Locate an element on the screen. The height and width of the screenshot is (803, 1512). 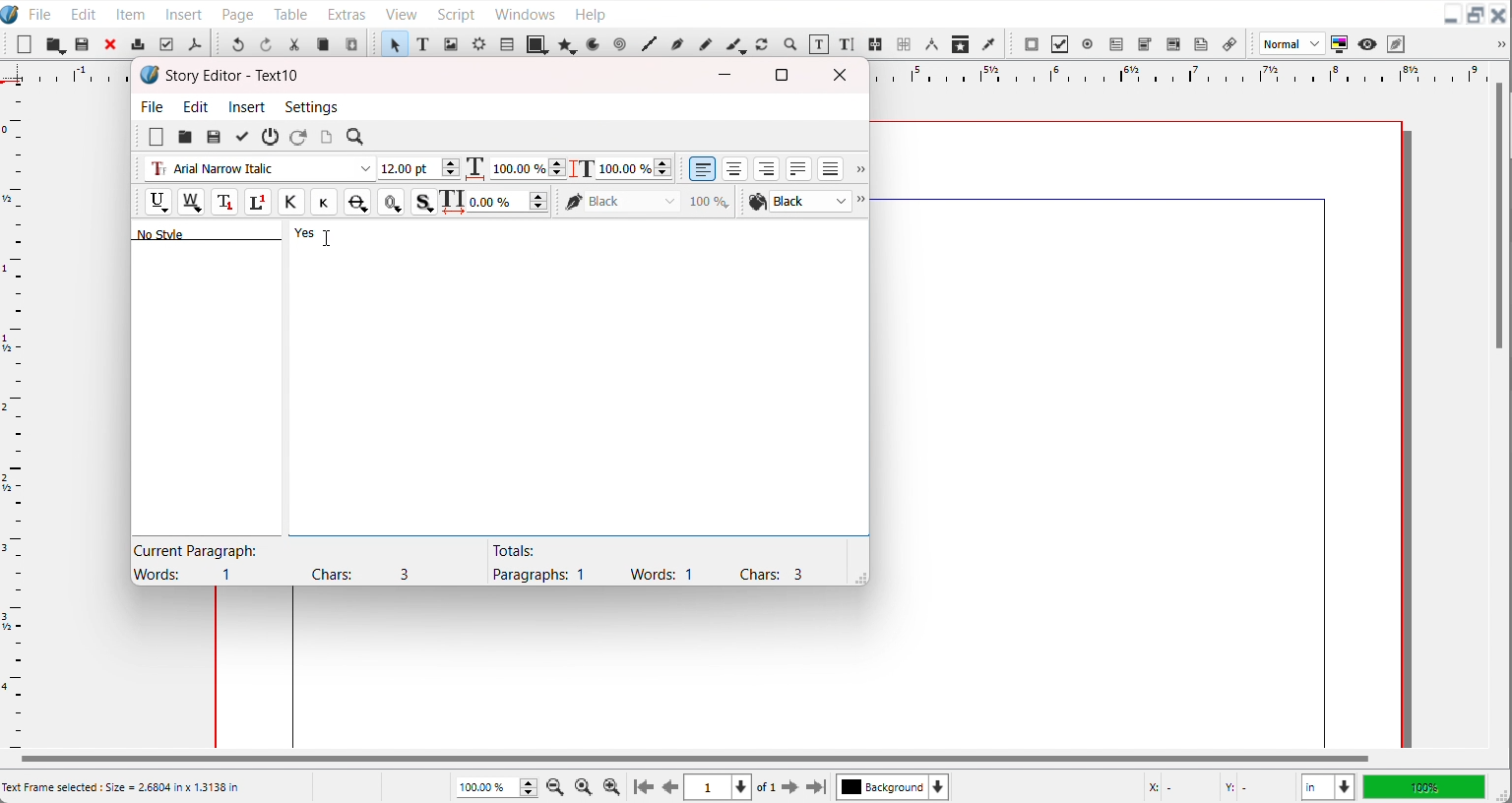
Underline is located at coordinates (157, 202).